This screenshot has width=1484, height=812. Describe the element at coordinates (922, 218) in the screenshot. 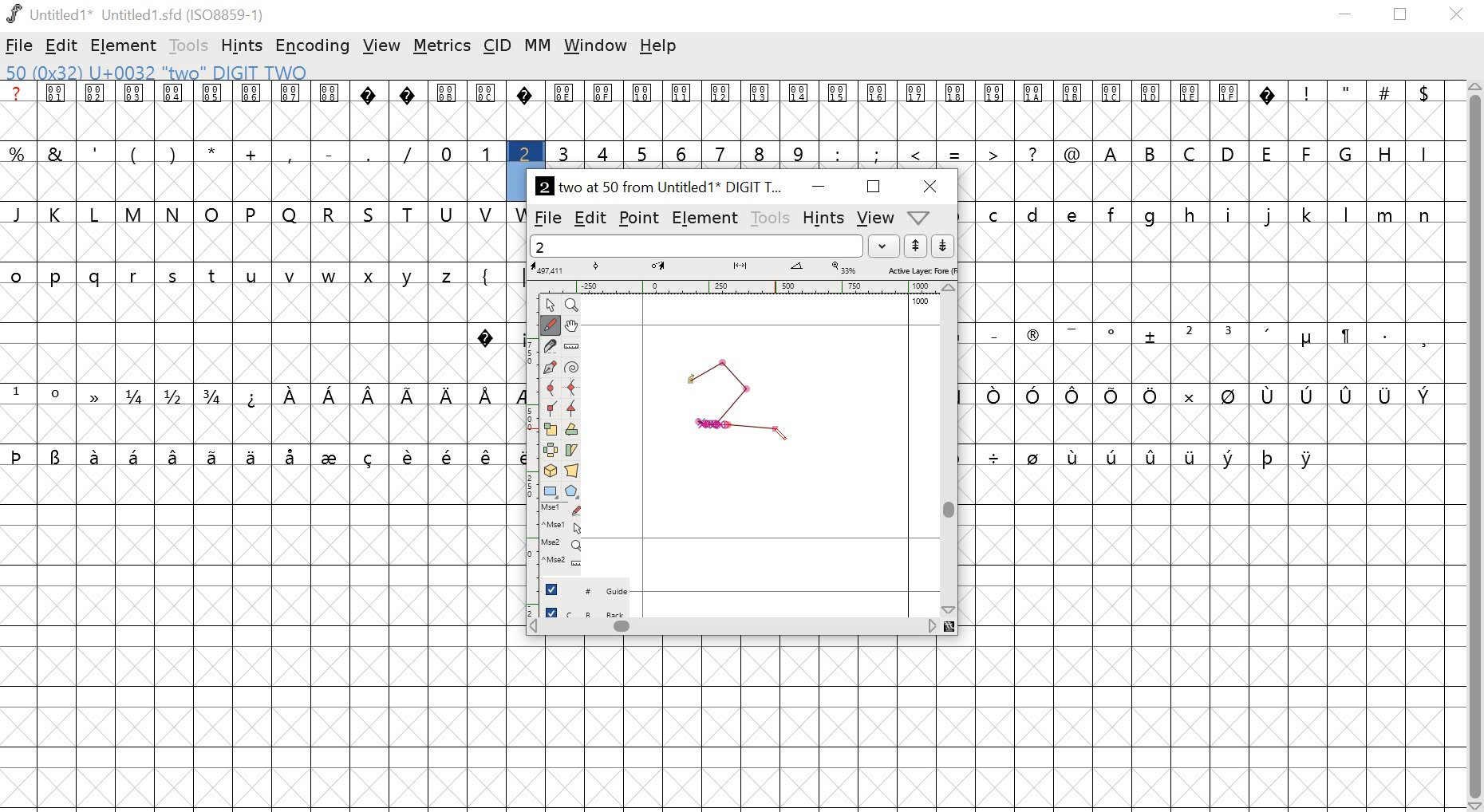

I see `metrics, window, help` at that location.